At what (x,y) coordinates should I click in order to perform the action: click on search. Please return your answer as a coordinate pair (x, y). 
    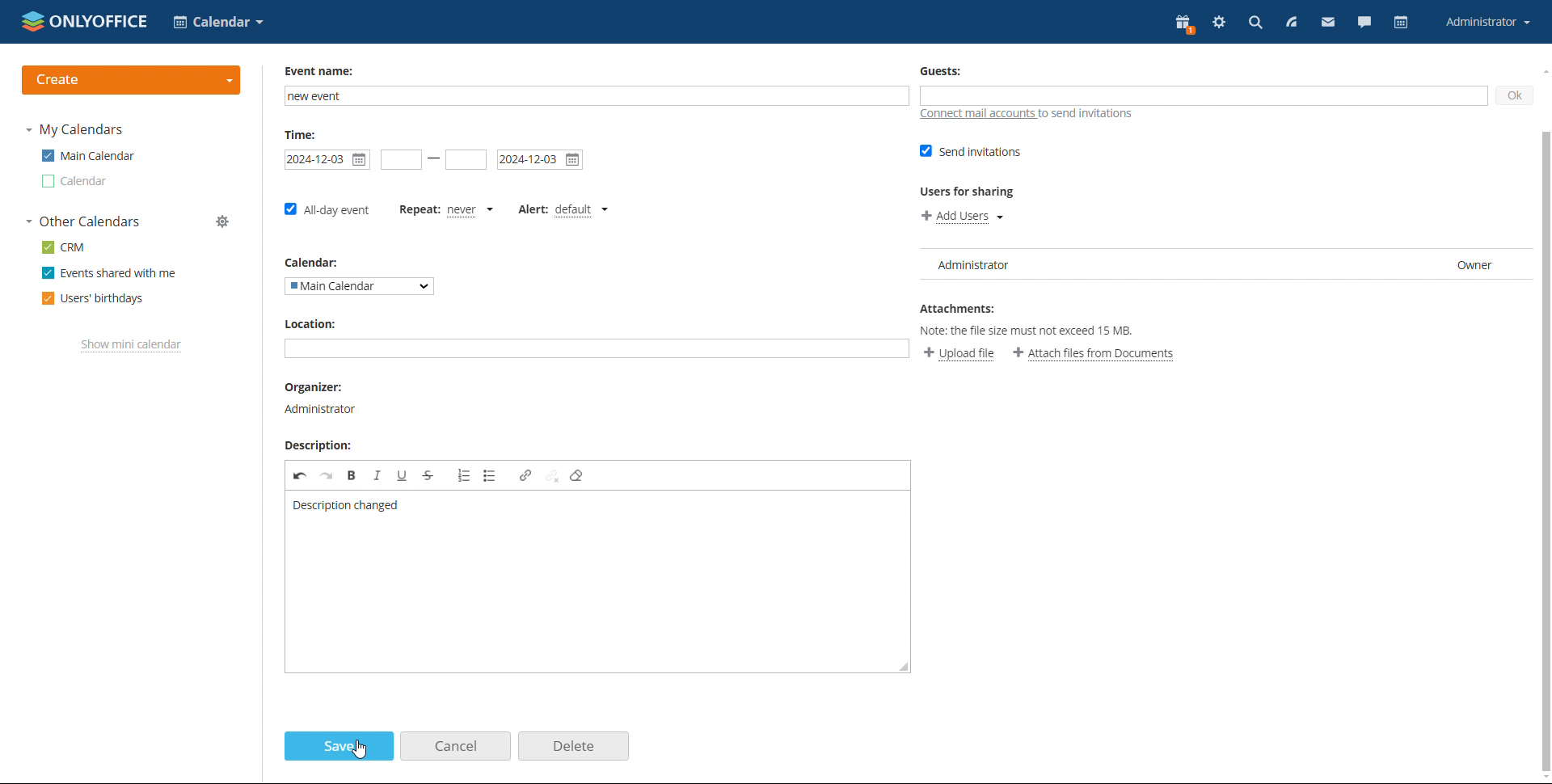
    Looking at the image, I should click on (1254, 23).